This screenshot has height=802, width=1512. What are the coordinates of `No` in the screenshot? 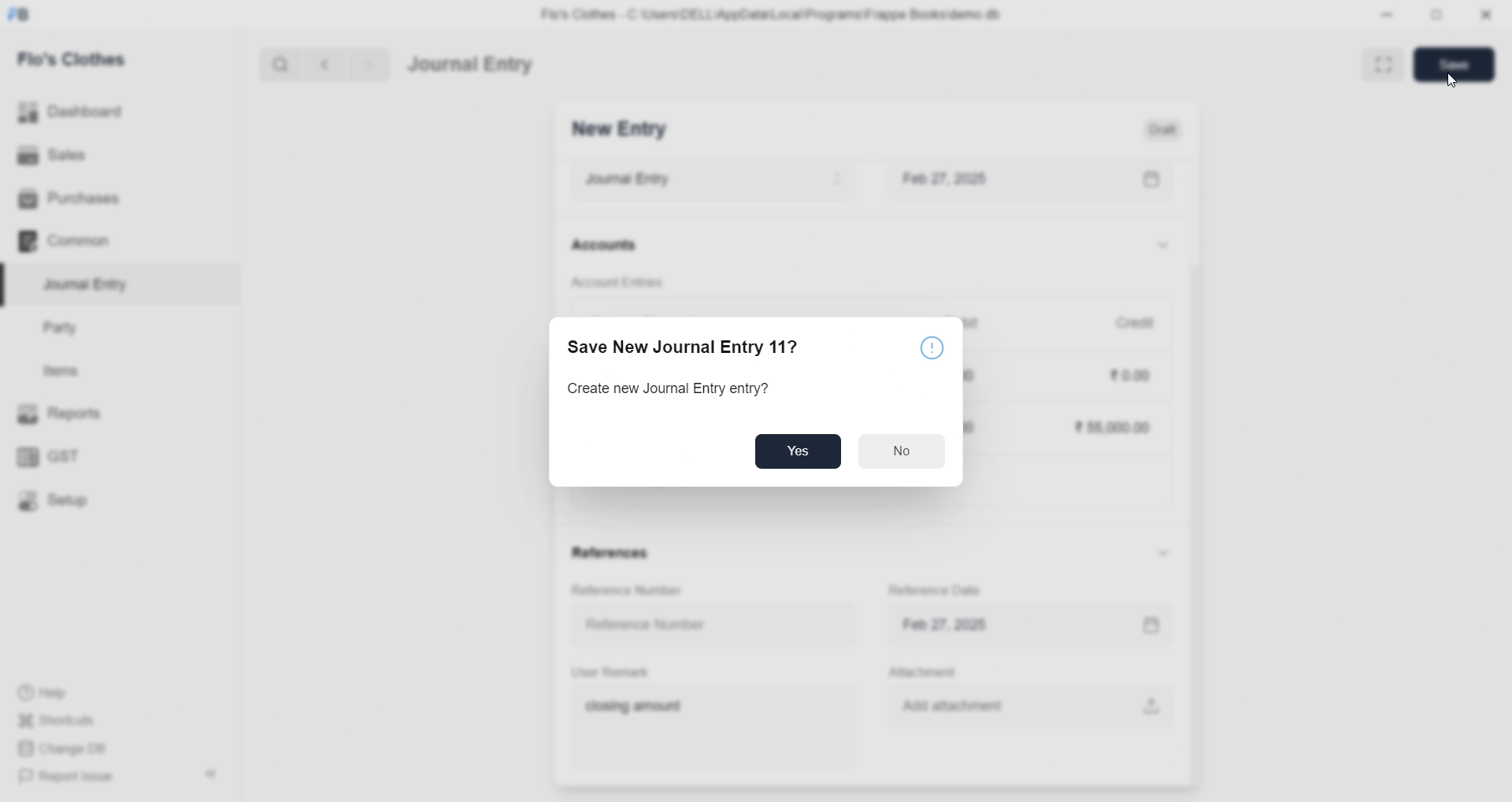 It's located at (902, 451).